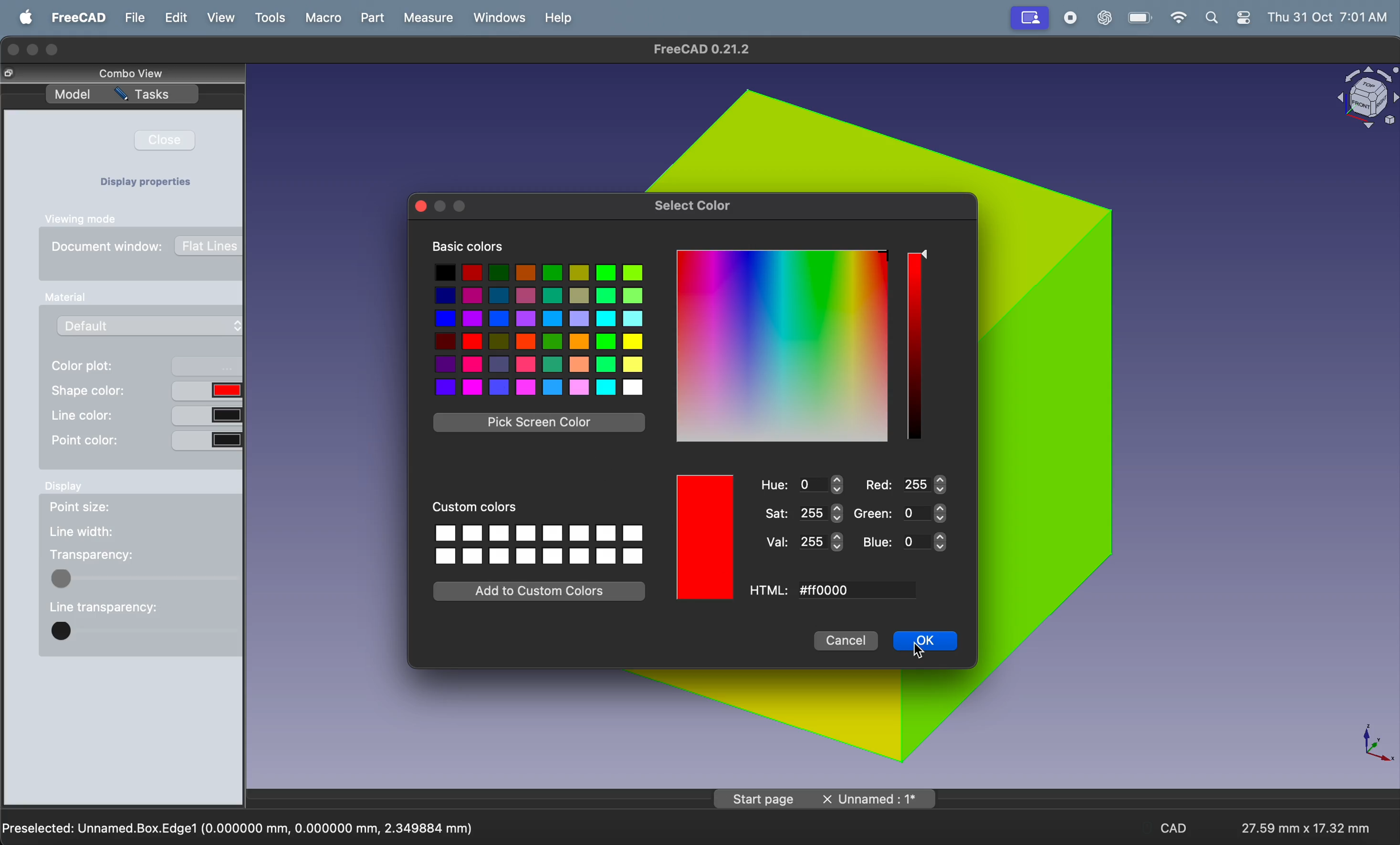  Describe the element at coordinates (802, 513) in the screenshot. I see `saat` at that location.